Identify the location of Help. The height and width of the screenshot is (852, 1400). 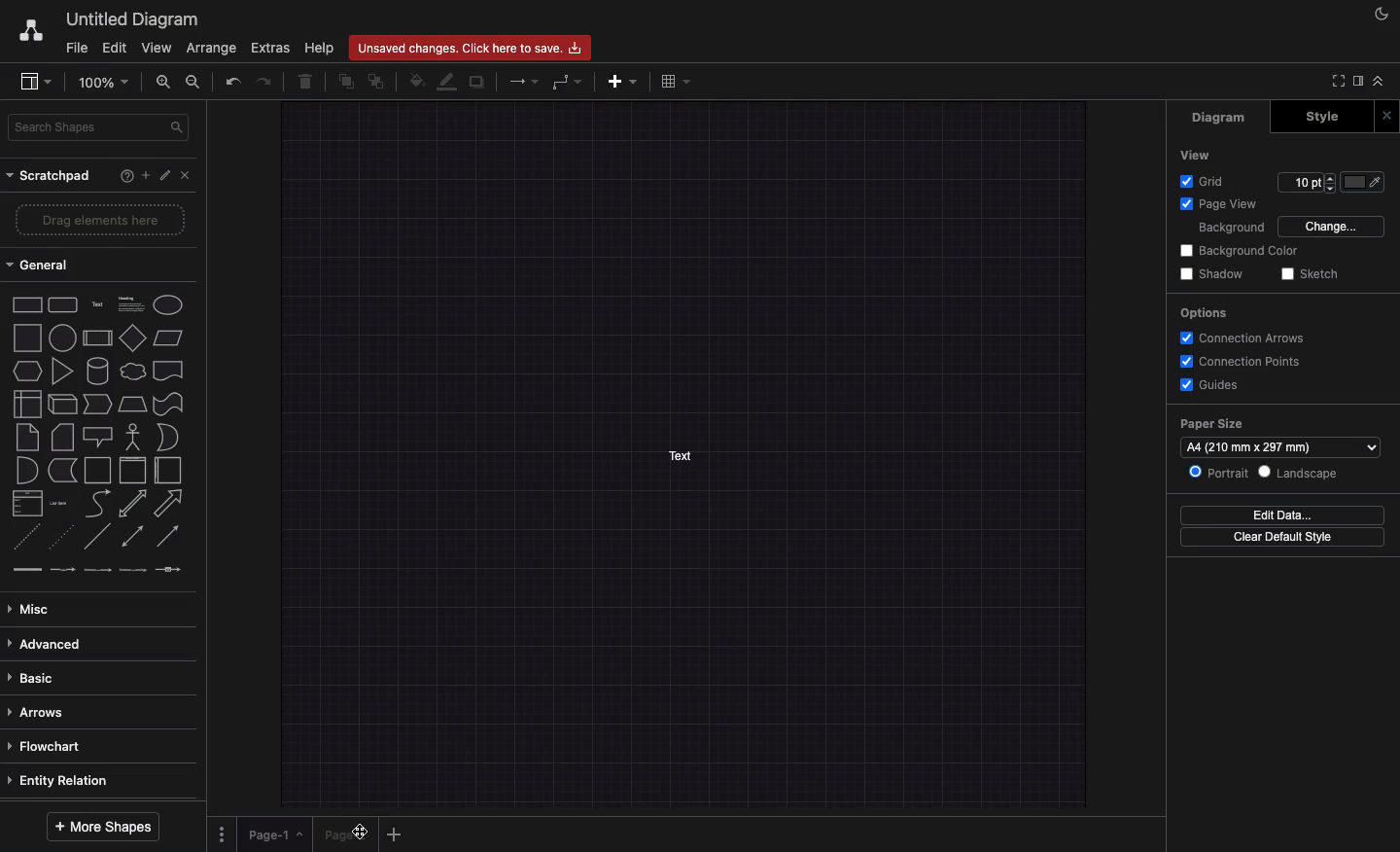
(124, 175).